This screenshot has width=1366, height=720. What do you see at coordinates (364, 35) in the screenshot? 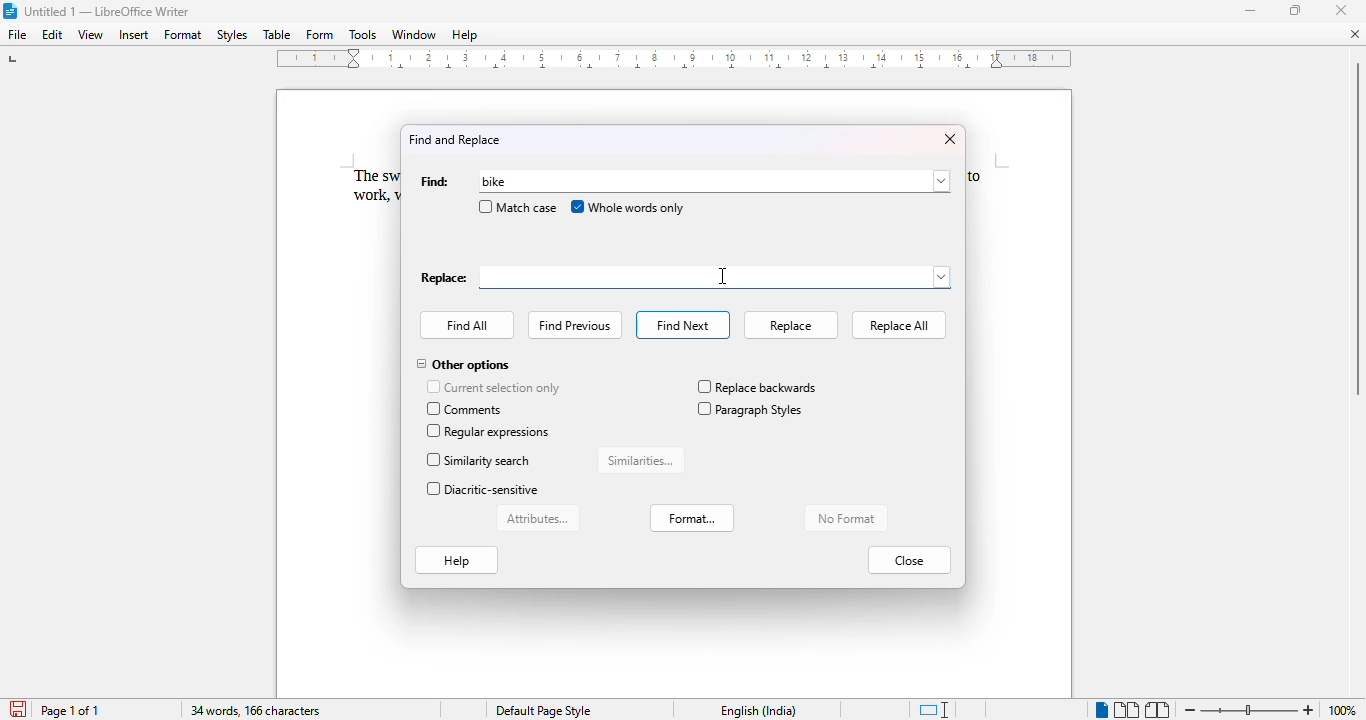
I see `tools` at bounding box center [364, 35].